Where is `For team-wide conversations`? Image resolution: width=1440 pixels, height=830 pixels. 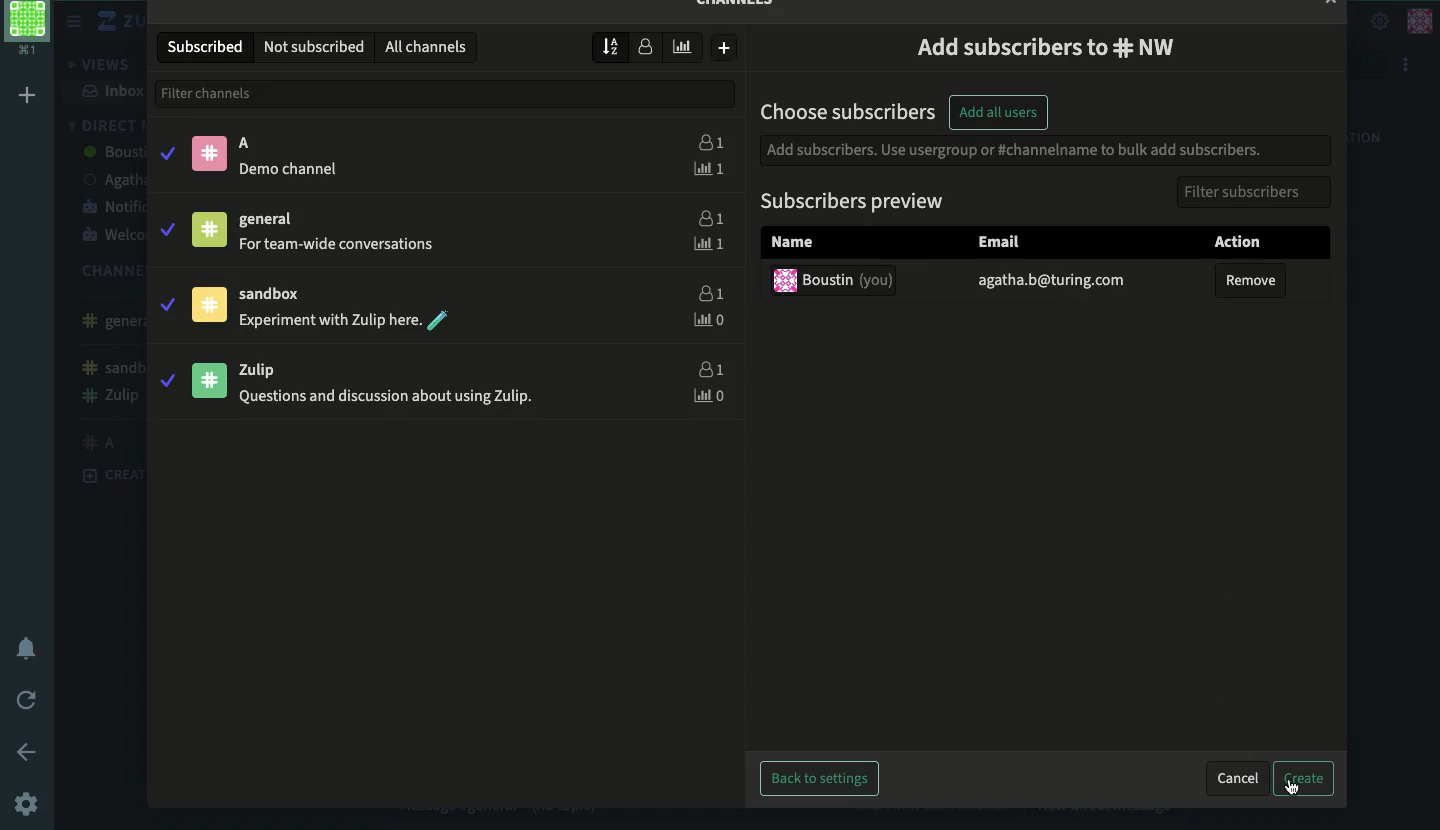 For team-wide conversations is located at coordinates (339, 246).